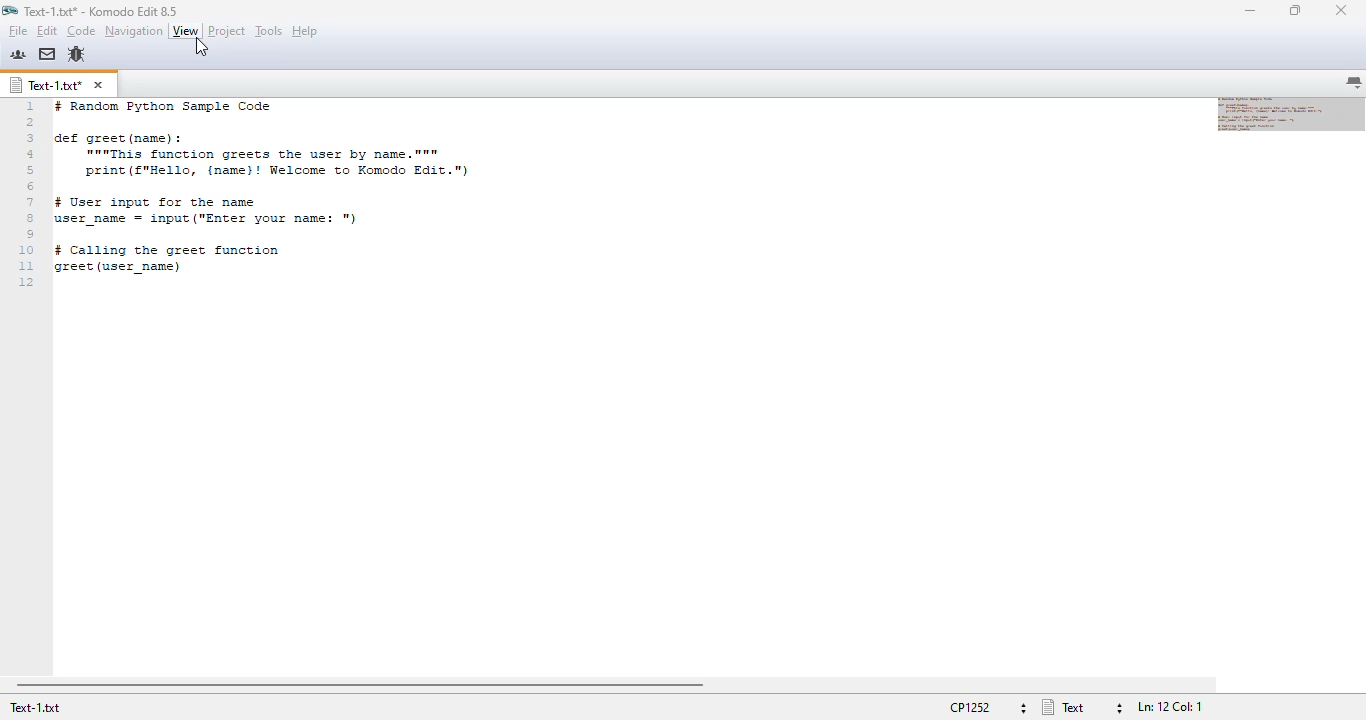 The height and width of the screenshot is (720, 1366). Describe the element at coordinates (98, 85) in the screenshot. I see `close tab` at that location.